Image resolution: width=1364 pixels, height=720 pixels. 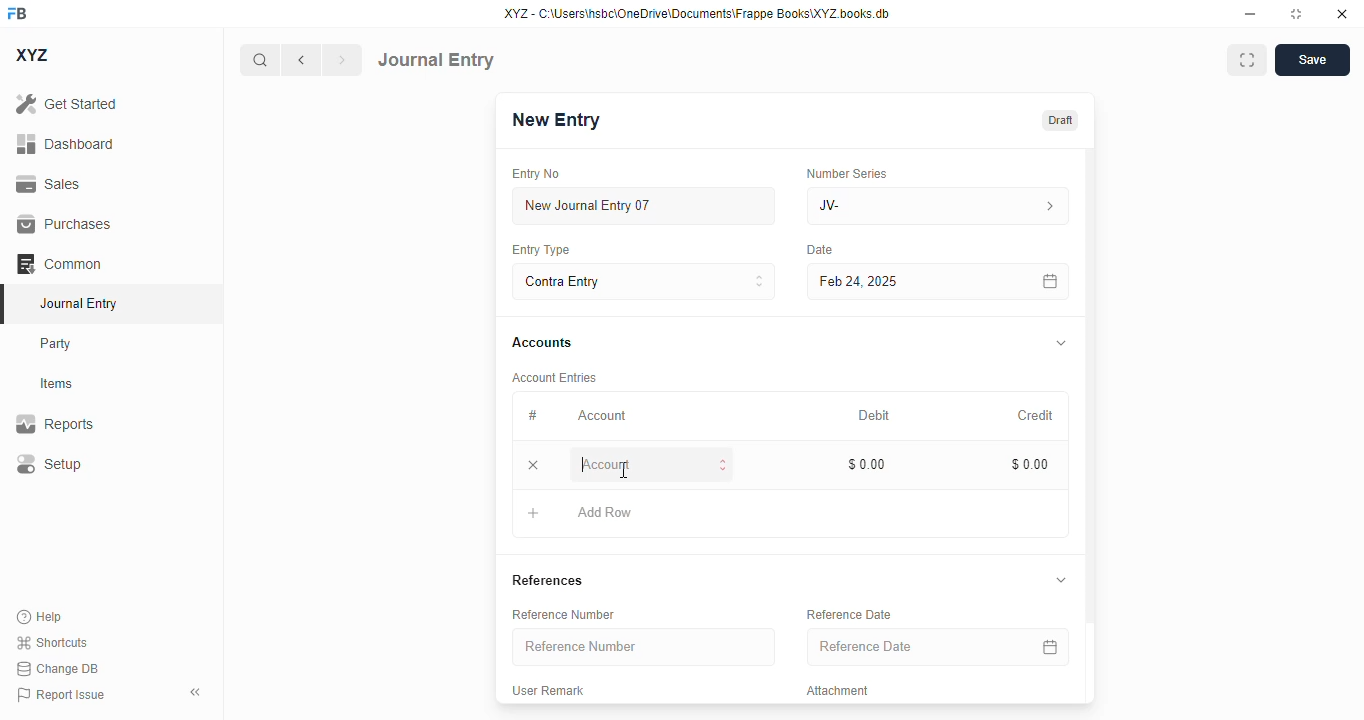 I want to click on journal entry, so click(x=436, y=60).